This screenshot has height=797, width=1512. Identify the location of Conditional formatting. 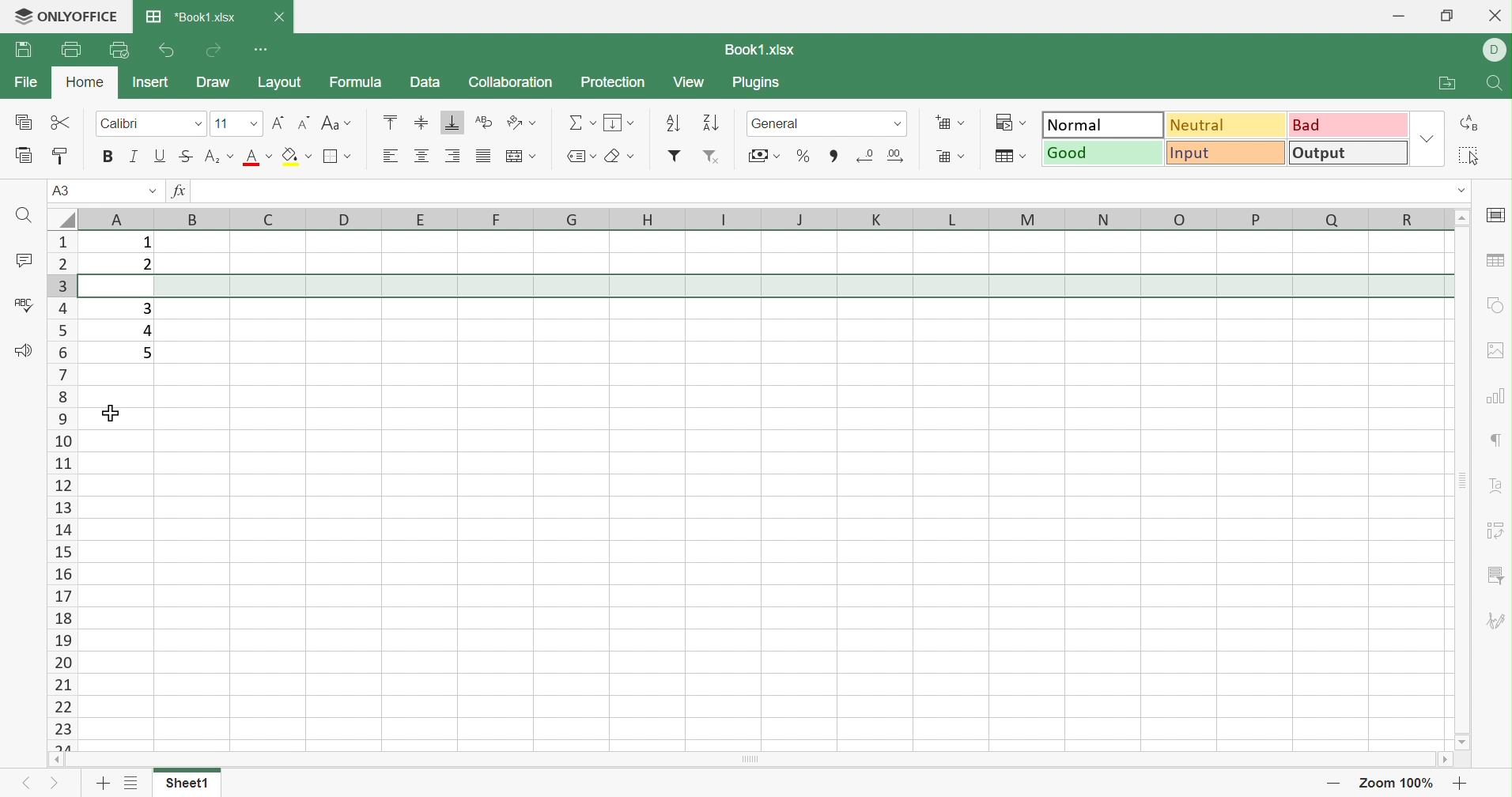
(1003, 121).